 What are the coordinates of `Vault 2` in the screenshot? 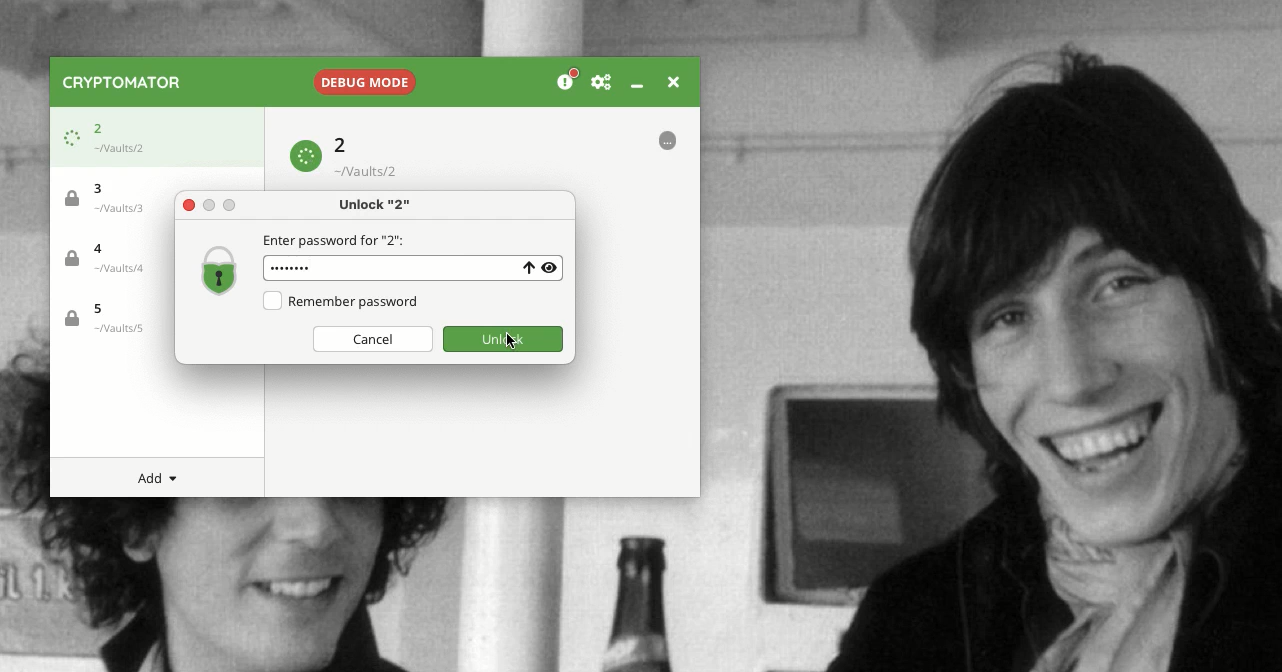 It's located at (375, 157).